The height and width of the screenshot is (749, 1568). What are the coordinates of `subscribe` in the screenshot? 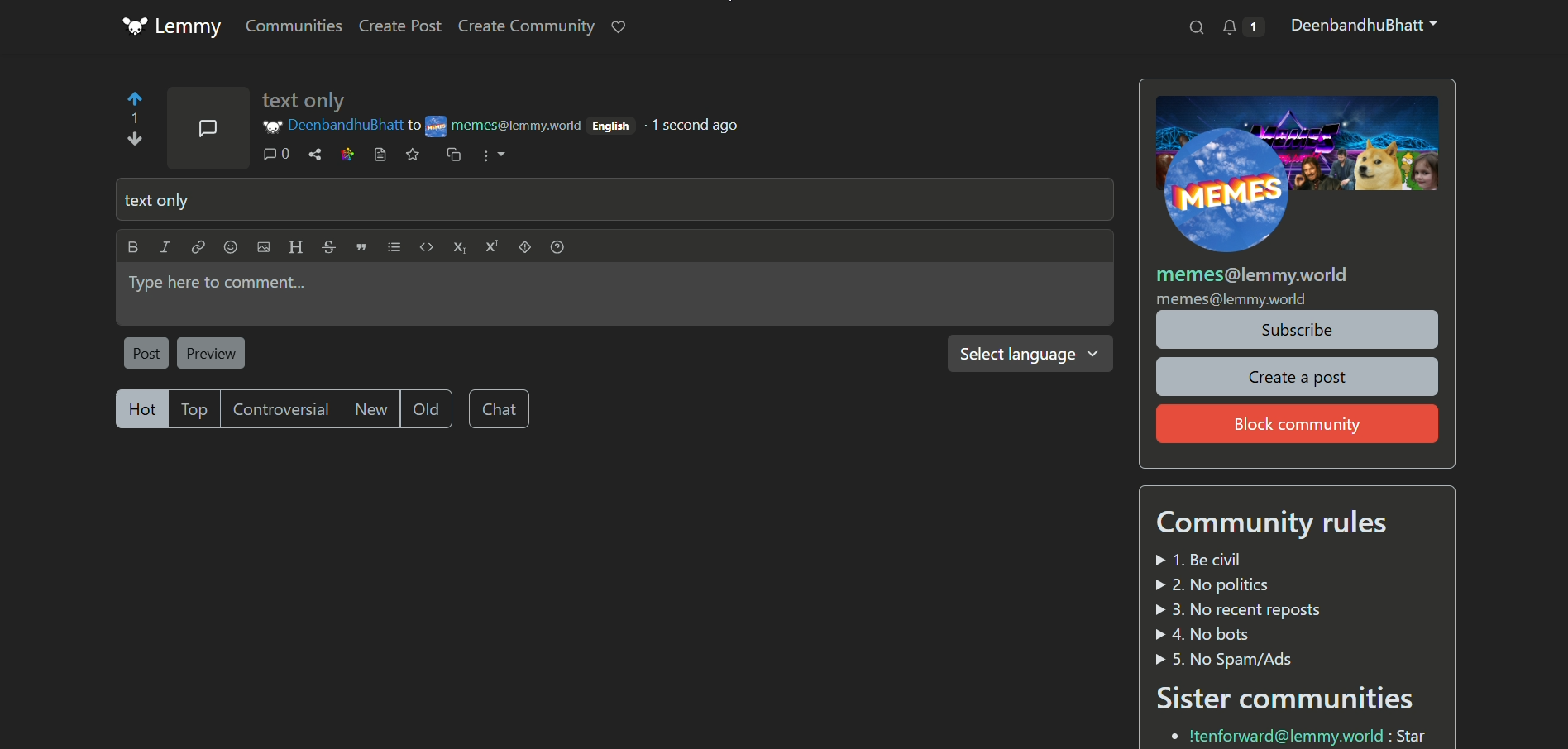 It's located at (1297, 330).